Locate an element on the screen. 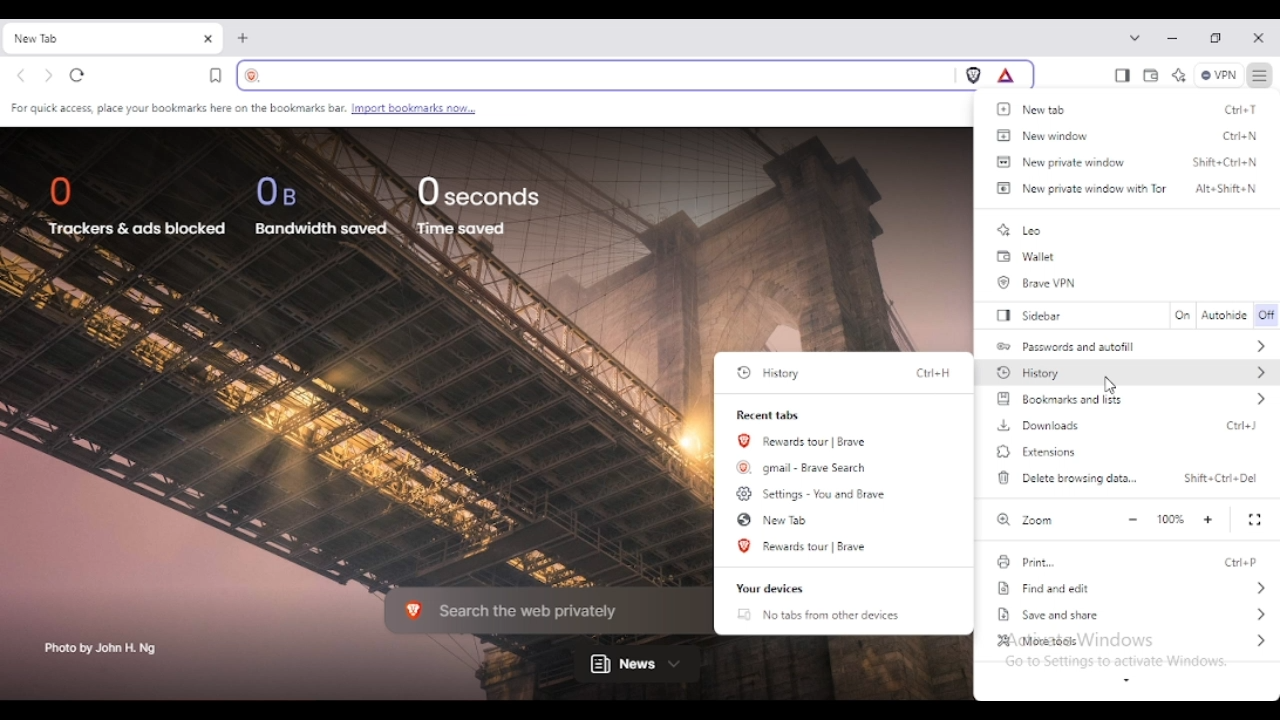 The width and height of the screenshot is (1280, 720). new tab is located at coordinates (1035, 109).